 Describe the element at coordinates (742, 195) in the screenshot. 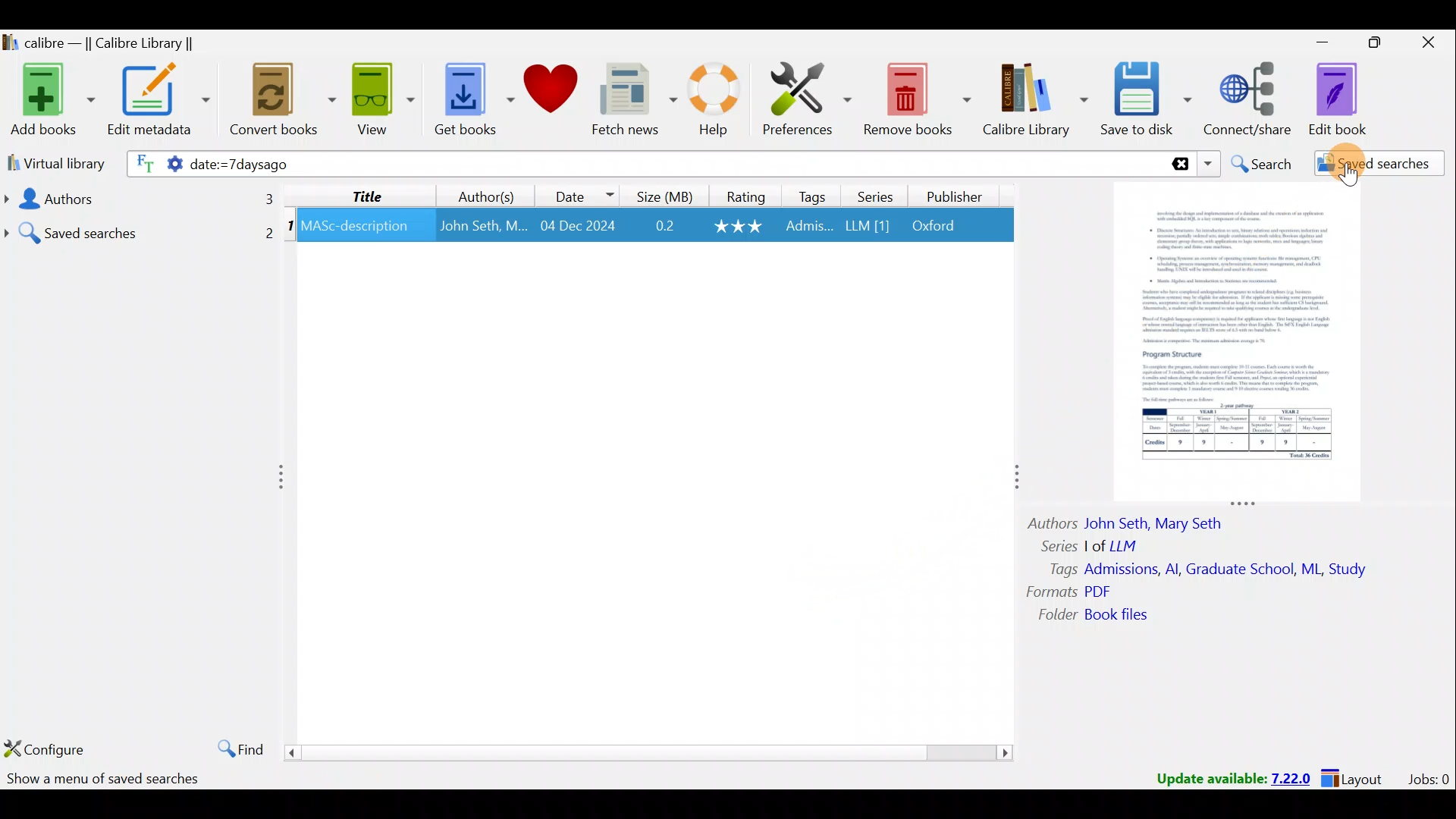

I see `Rating` at that location.